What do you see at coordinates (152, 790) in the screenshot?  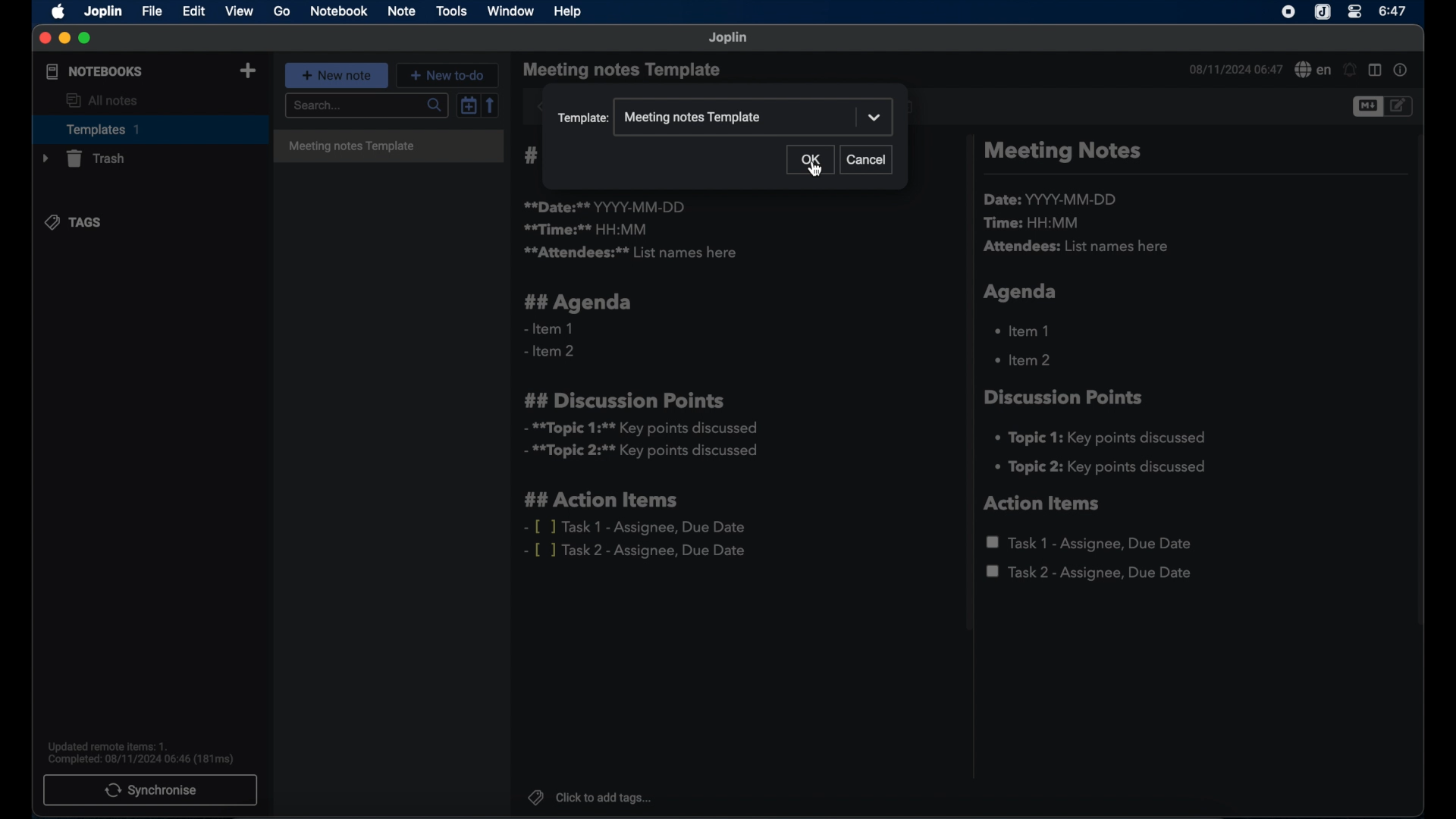 I see `synchronise` at bounding box center [152, 790].